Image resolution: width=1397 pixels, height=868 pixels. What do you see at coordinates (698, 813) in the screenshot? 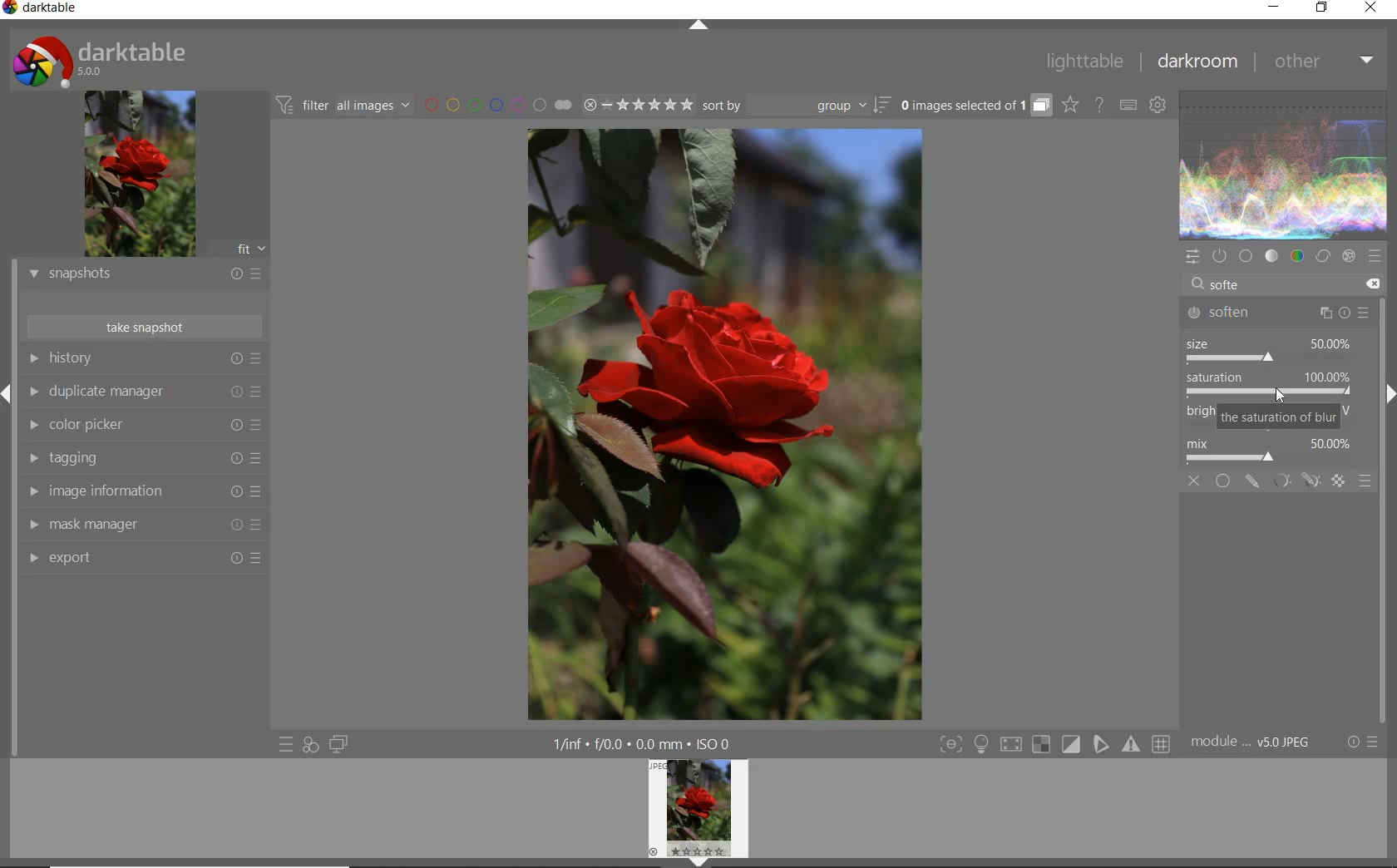
I see `image preview` at bounding box center [698, 813].